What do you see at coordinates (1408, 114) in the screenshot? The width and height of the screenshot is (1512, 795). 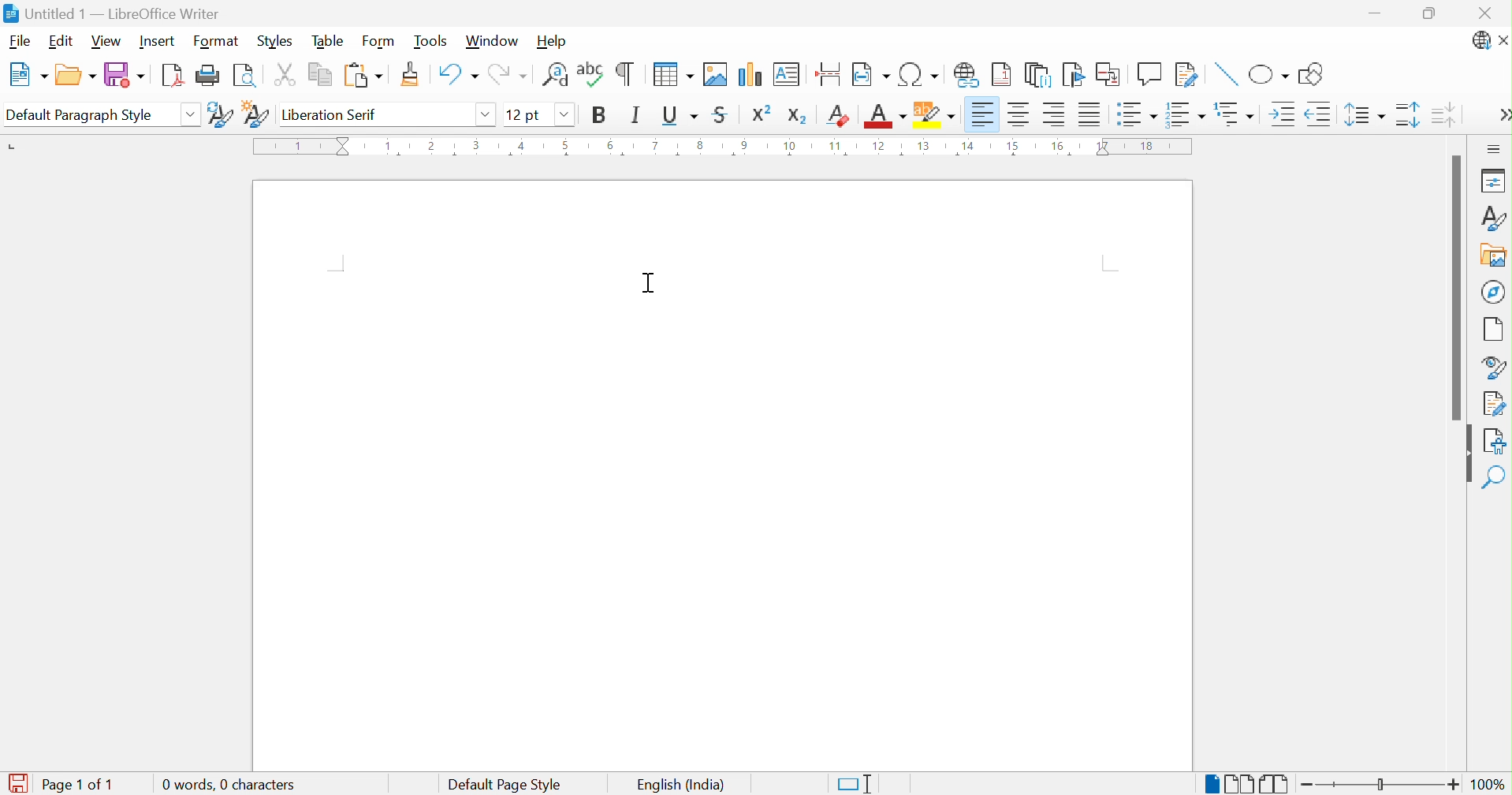 I see `INcrease paragraph sacing` at bounding box center [1408, 114].